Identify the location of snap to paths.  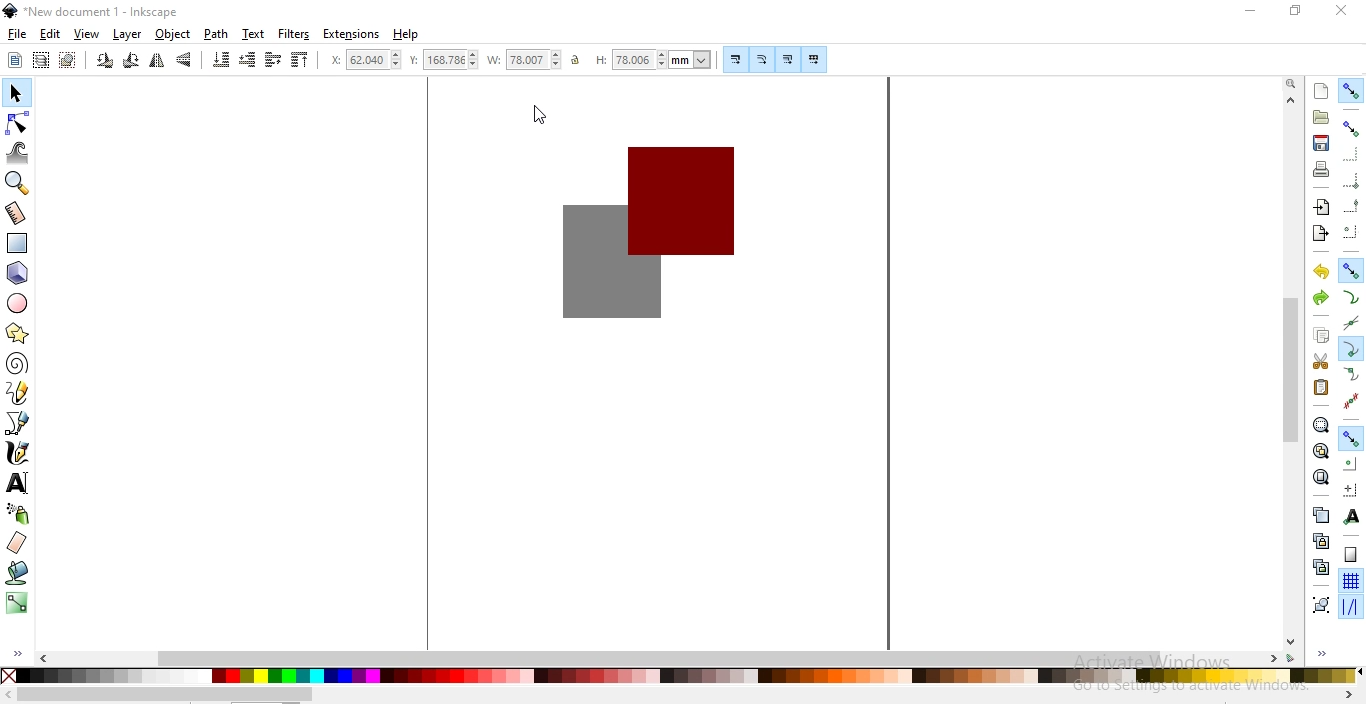
(1351, 298).